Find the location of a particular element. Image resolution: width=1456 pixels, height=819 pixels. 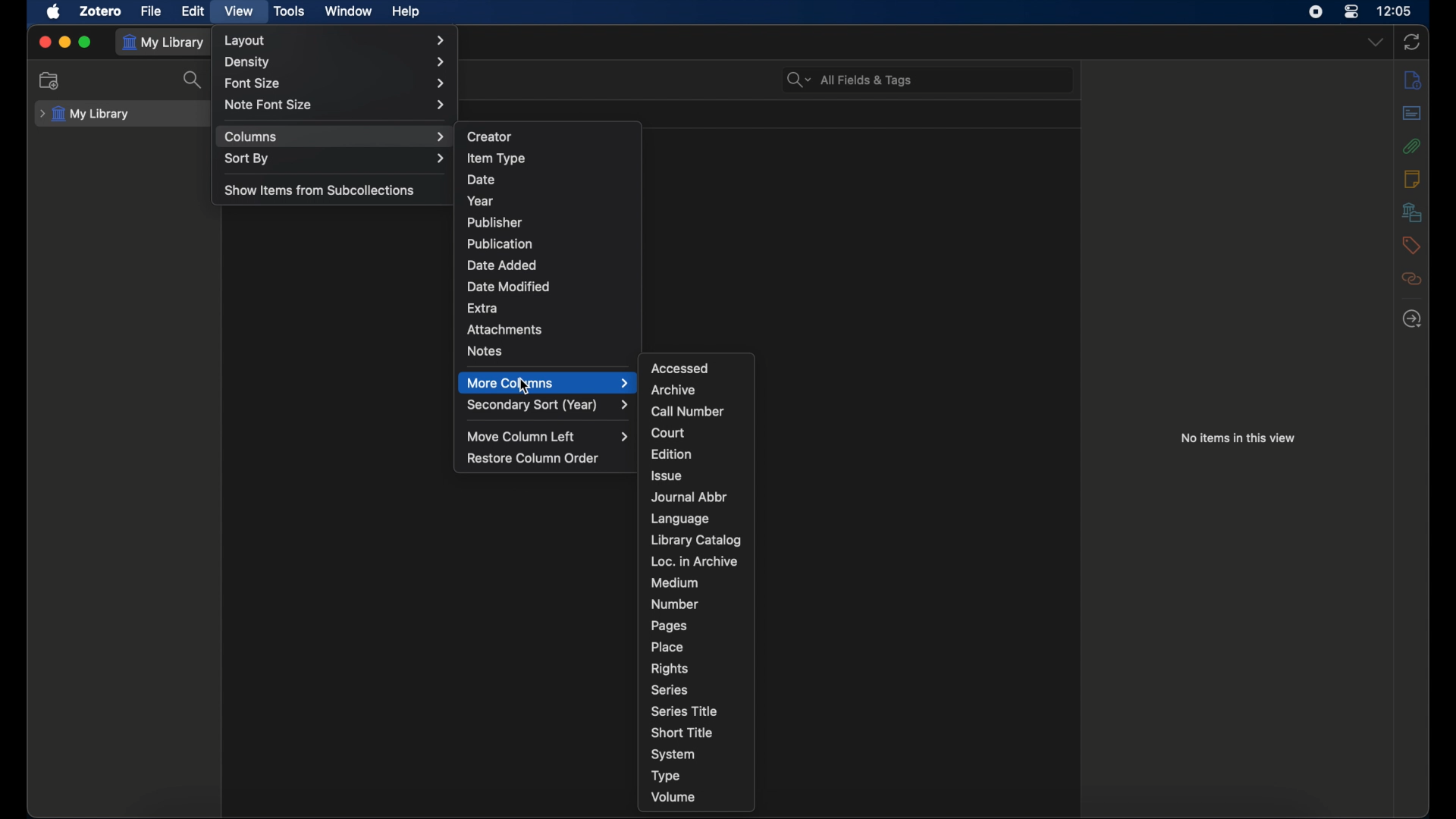

file is located at coordinates (150, 11).